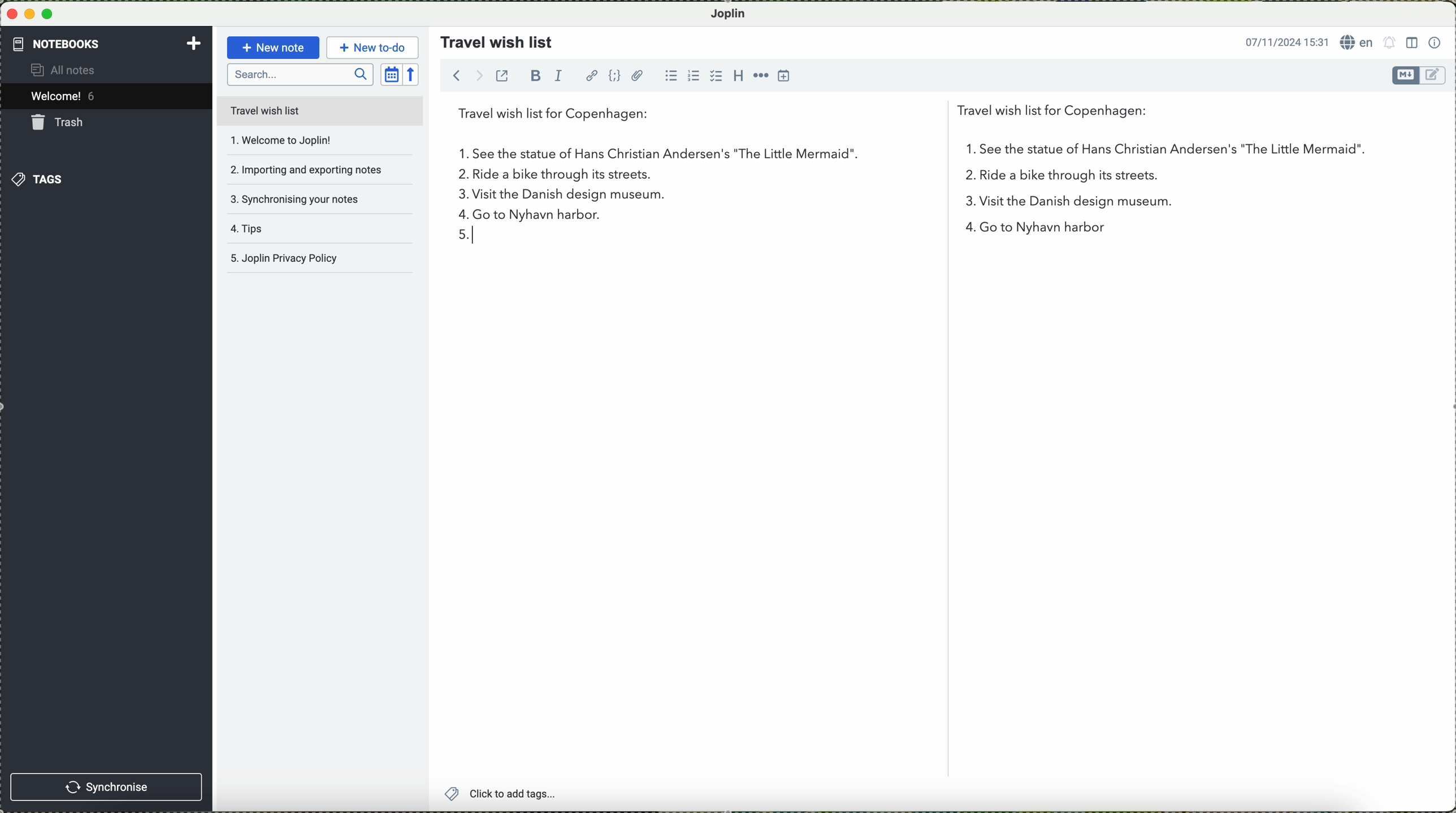  Describe the element at coordinates (809, 116) in the screenshot. I see `travel wish list for Copenhagen:` at that location.